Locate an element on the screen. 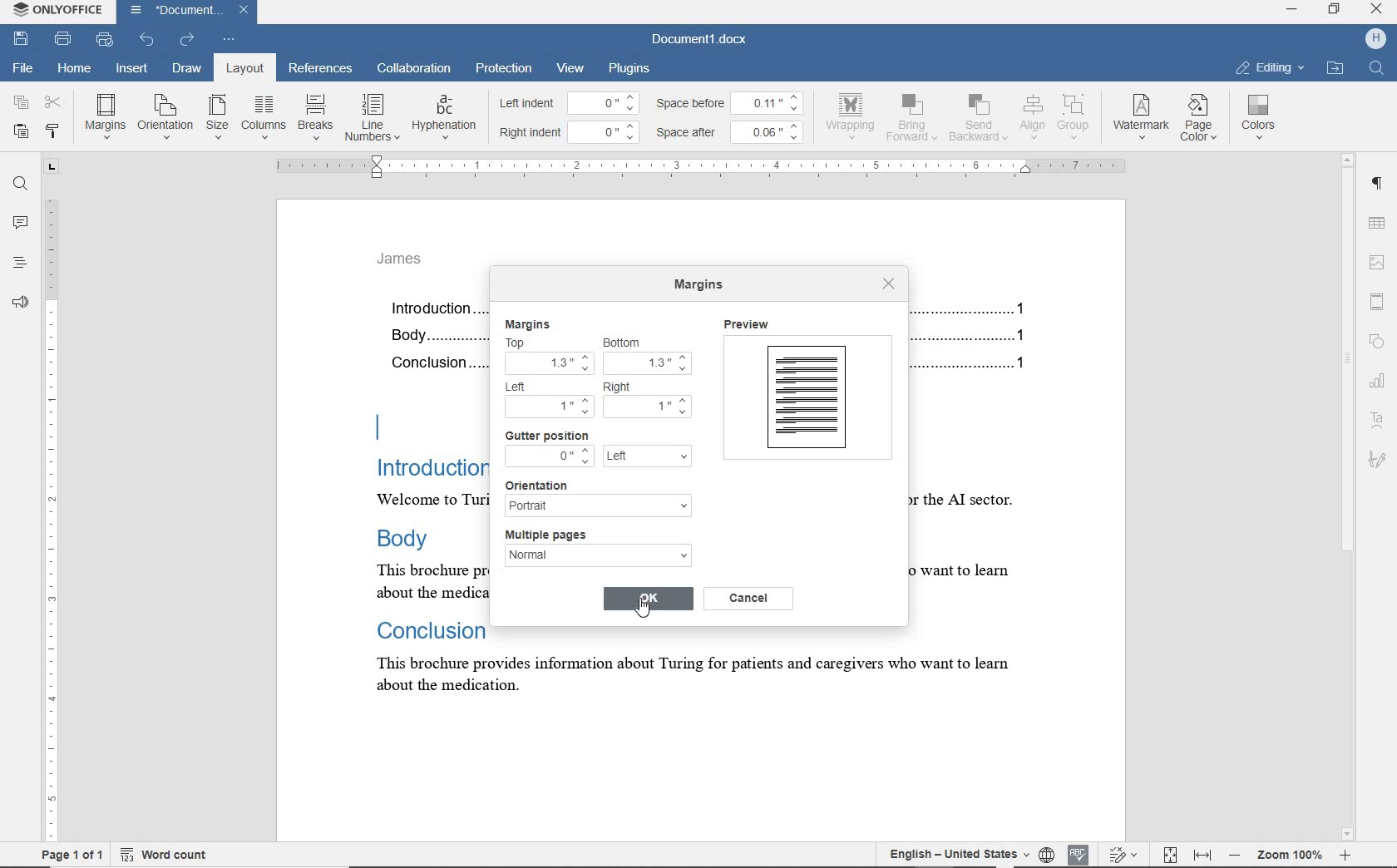 Image resolution: width=1397 pixels, height=868 pixels. close is located at coordinates (249, 8).